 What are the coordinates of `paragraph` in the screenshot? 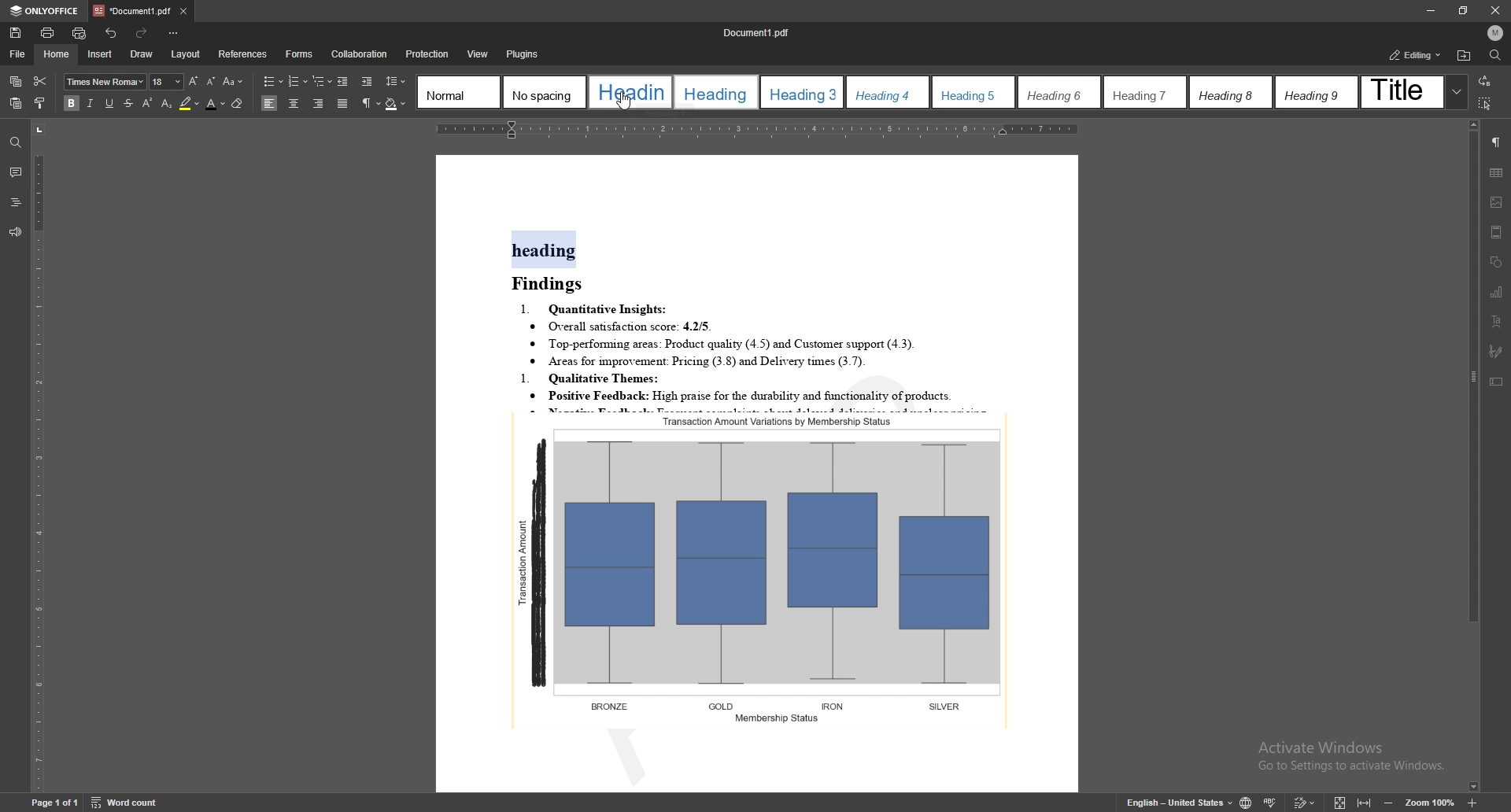 It's located at (1496, 142).